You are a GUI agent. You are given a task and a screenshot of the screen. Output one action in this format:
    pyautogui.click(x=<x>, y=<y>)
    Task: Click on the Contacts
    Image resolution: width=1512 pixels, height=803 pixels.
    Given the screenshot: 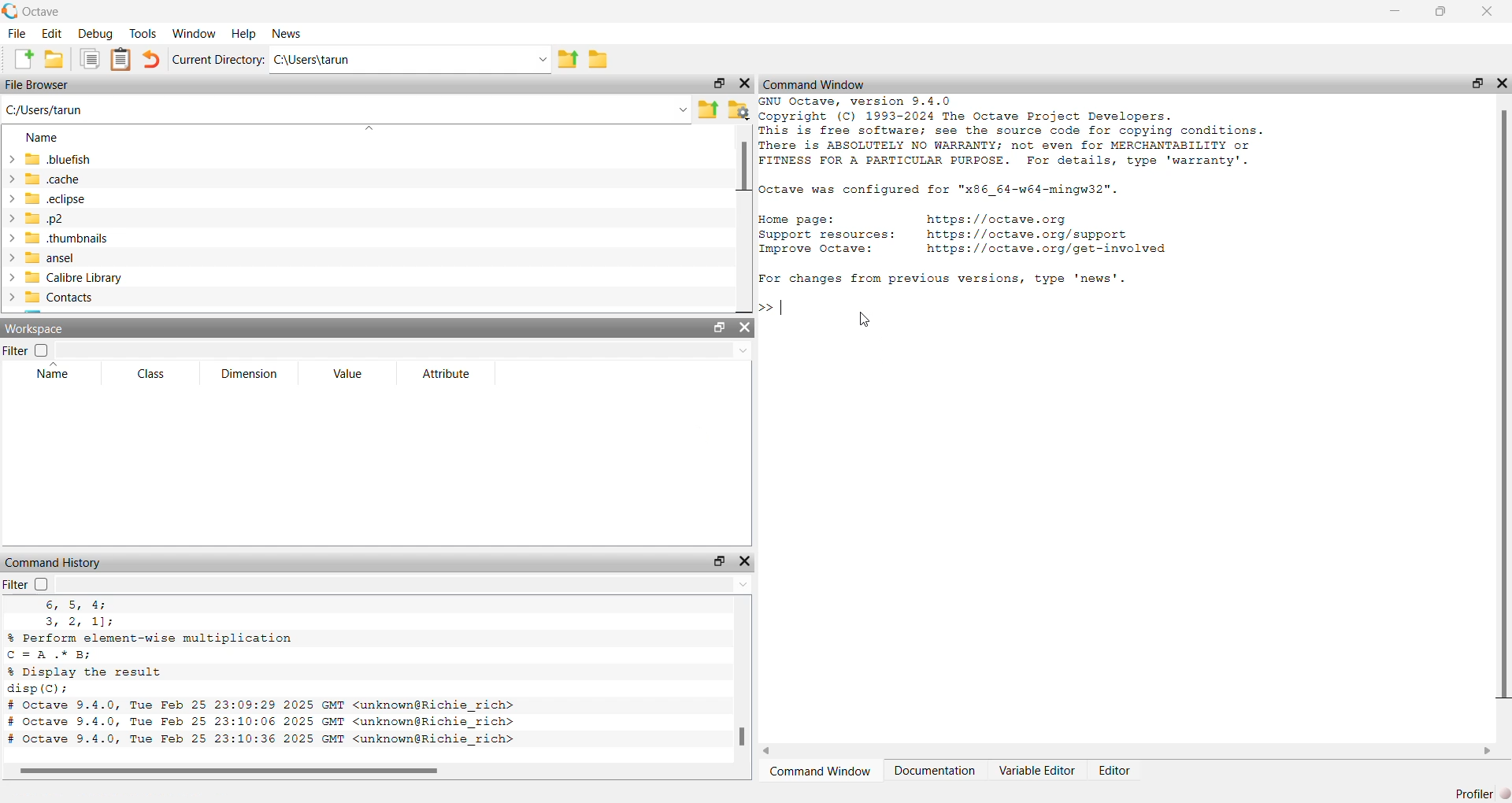 What is the action you would take?
    pyautogui.click(x=52, y=298)
    